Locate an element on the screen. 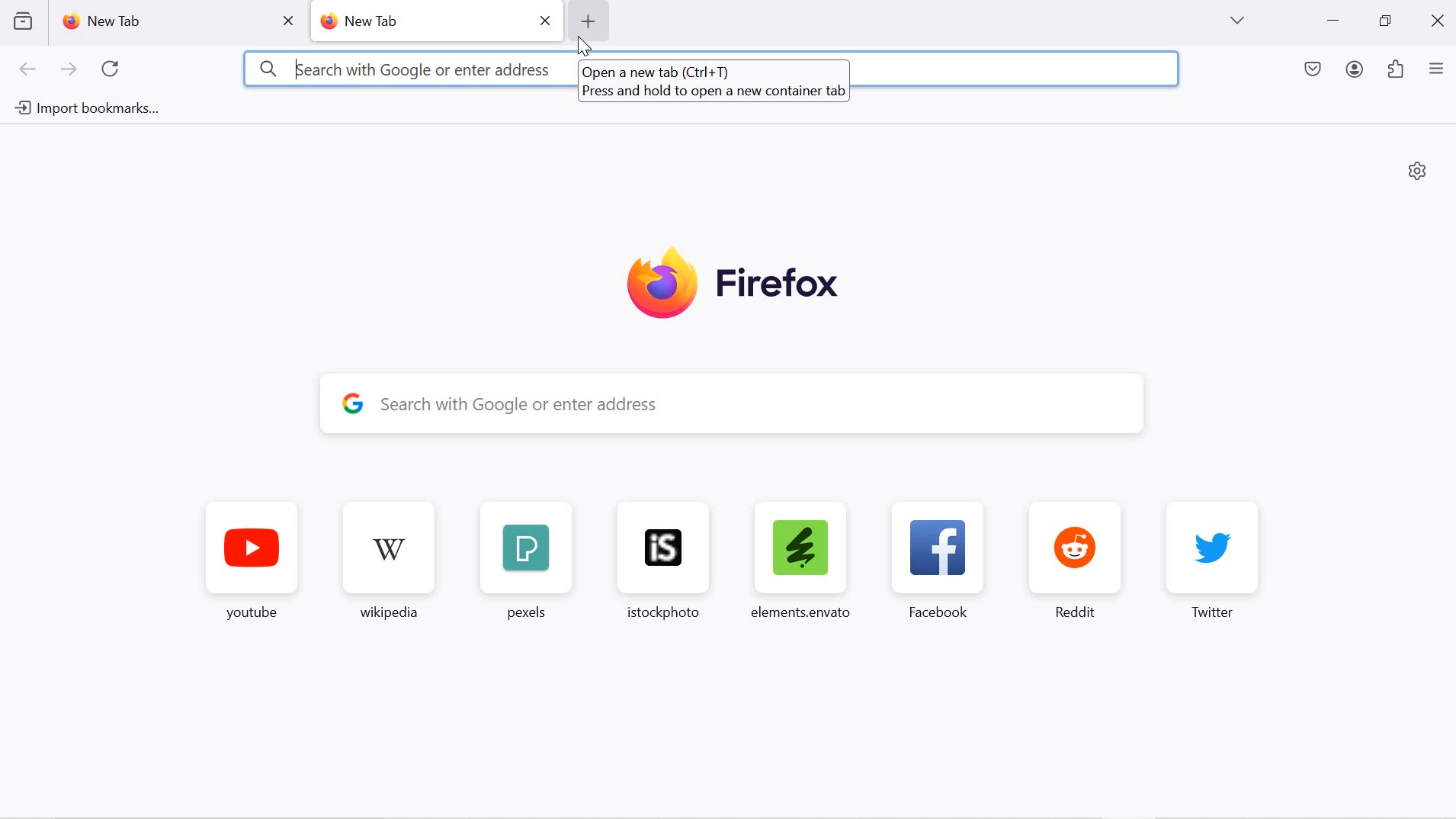 This screenshot has width=1456, height=819. reload is located at coordinates (112, 69).